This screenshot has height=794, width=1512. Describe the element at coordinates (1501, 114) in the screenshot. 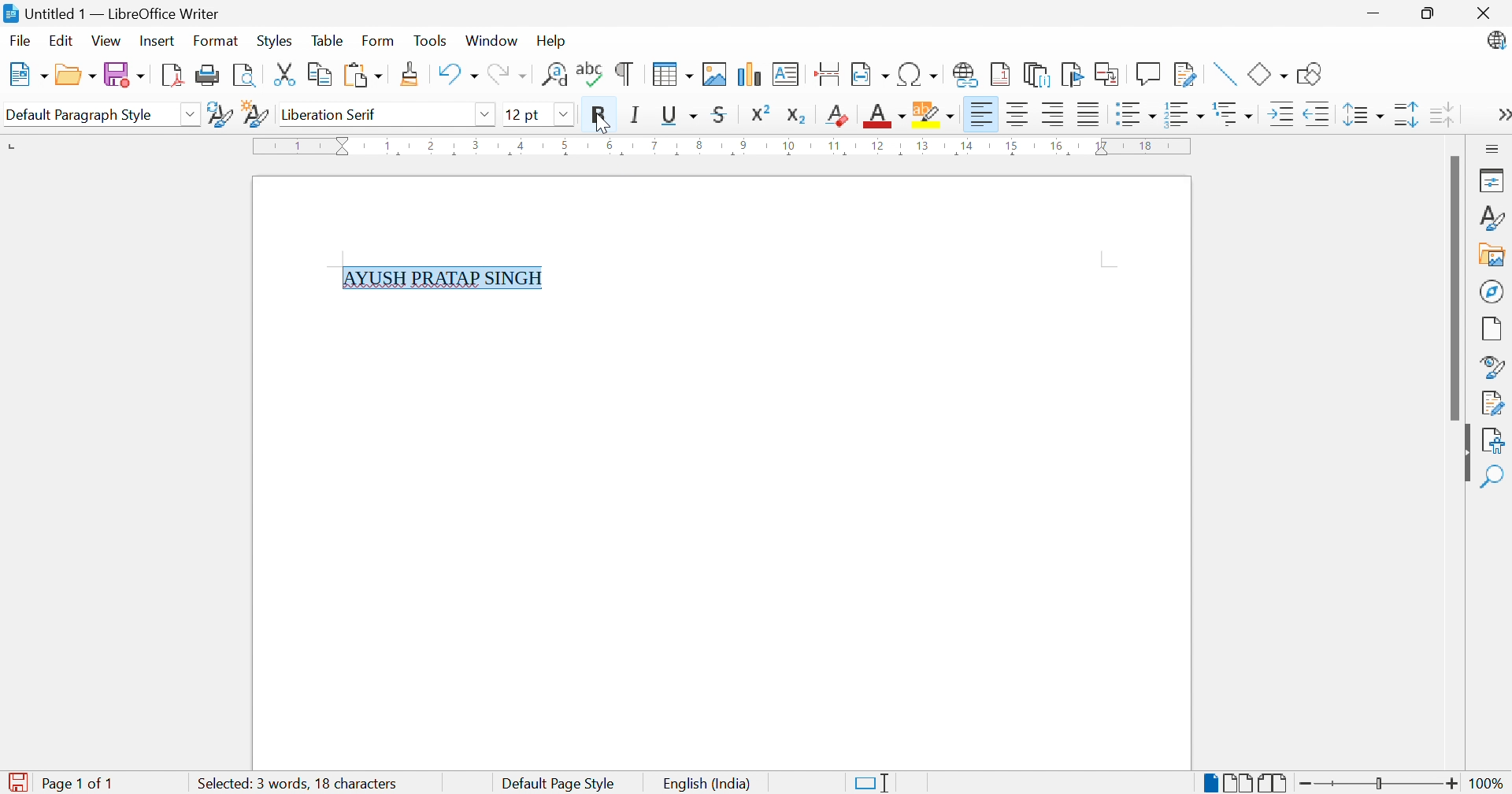

I see `More` at that location.